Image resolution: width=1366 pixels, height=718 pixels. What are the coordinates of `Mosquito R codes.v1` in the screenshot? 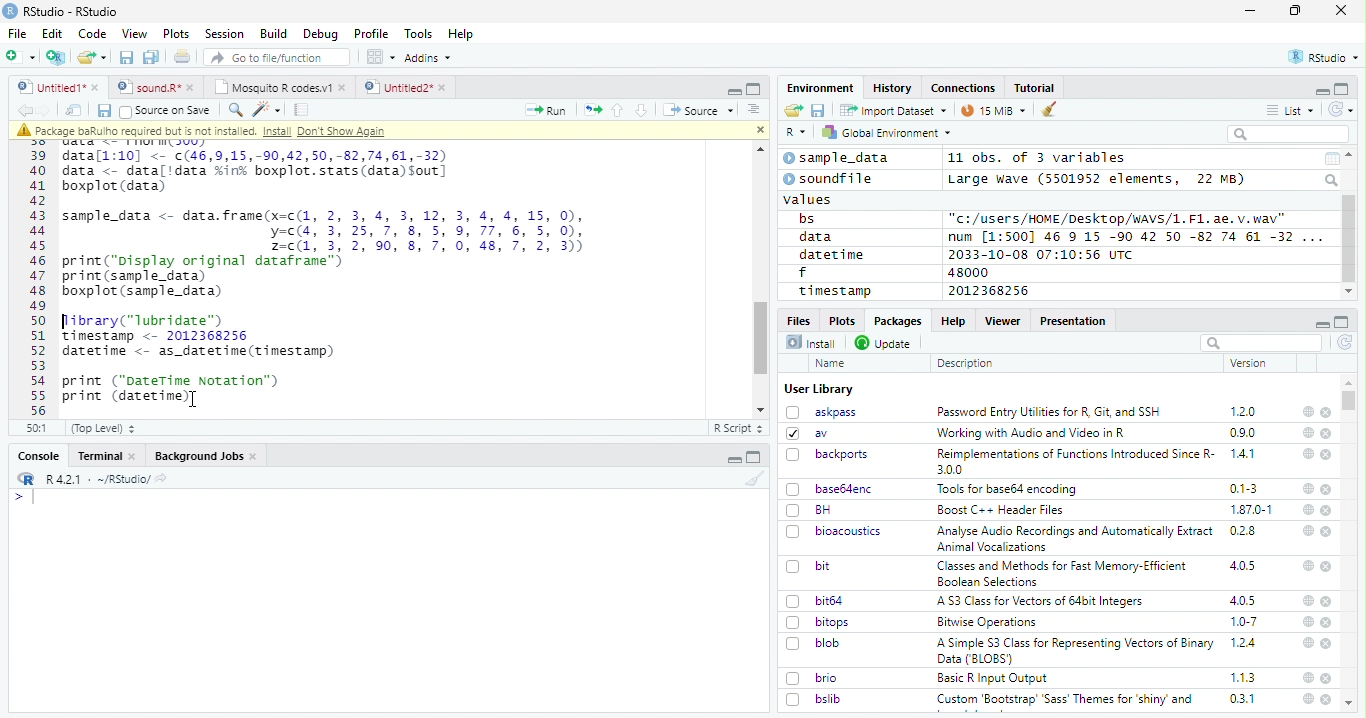 It's located at (279, 87).